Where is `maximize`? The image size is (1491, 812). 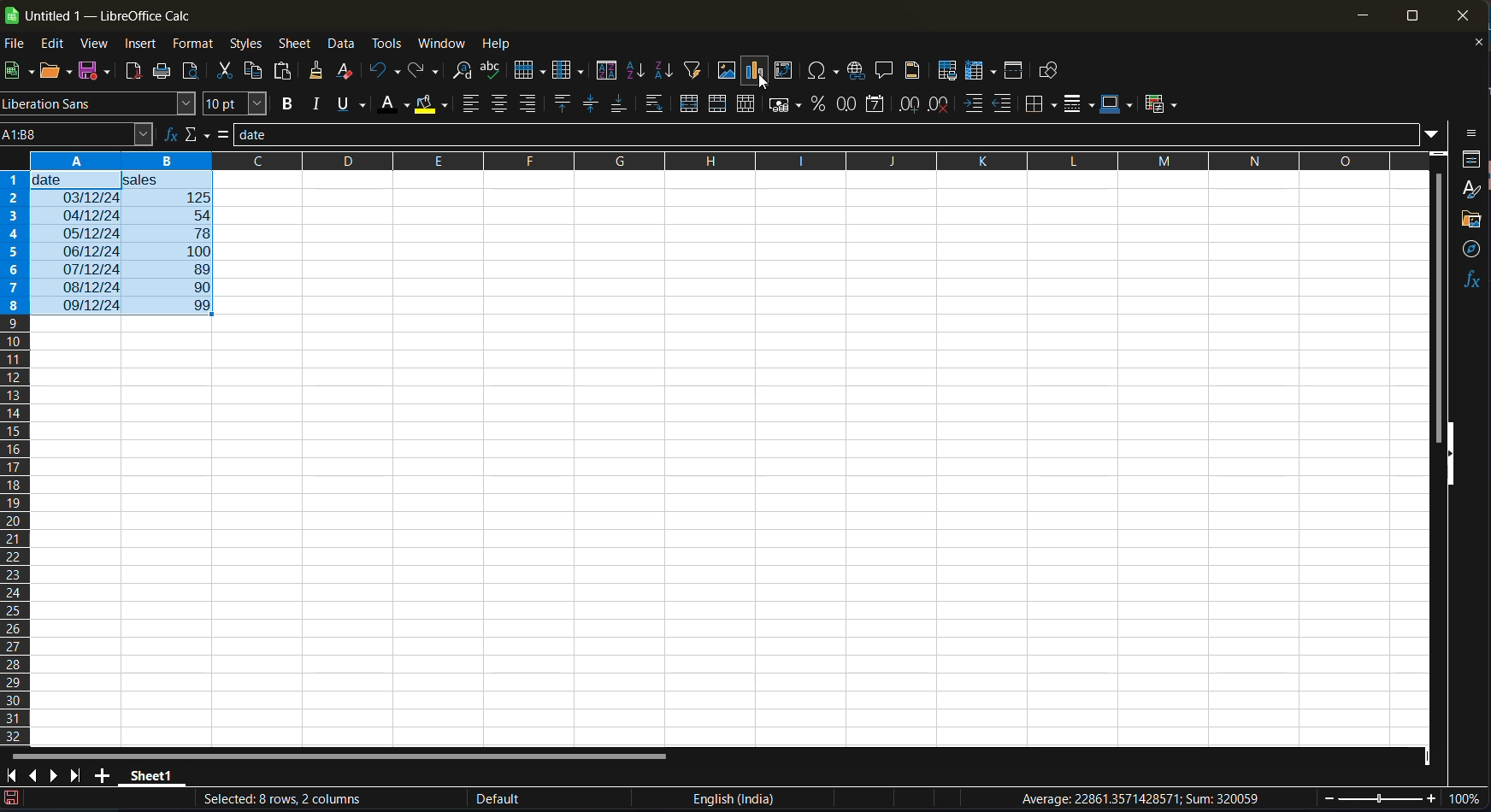
maximize is located at coordinates (1408, 15).